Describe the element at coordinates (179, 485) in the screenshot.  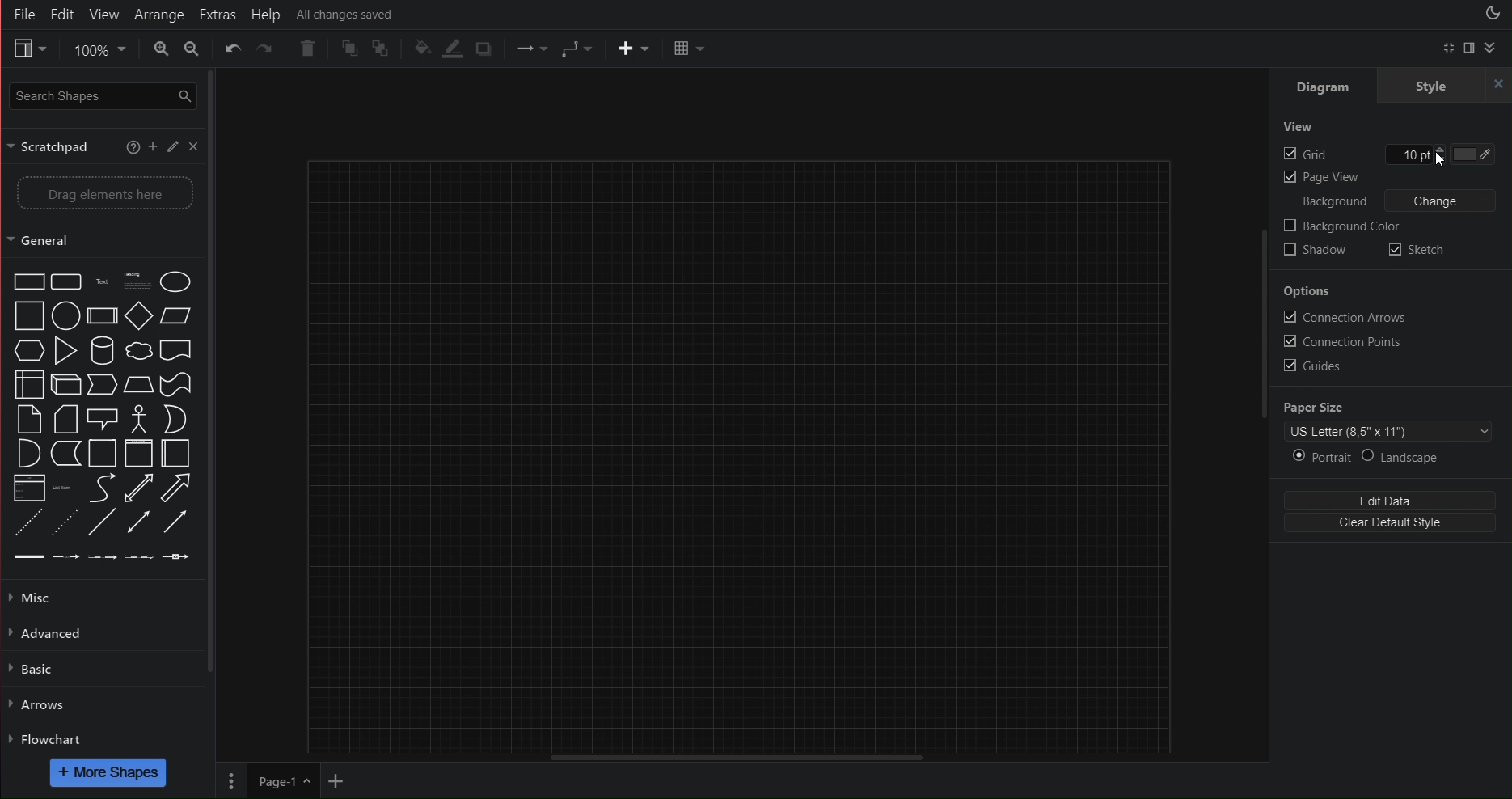
I see `single side arrow` at that location.